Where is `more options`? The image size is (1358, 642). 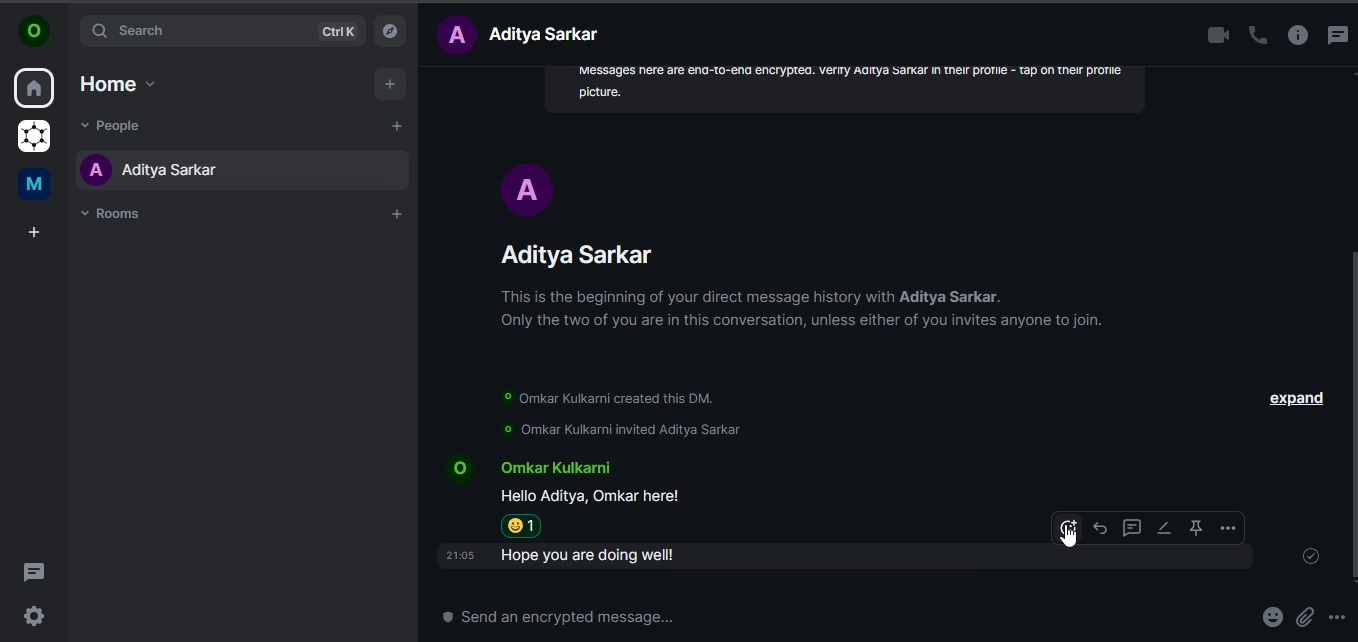 more options is located at coordinates (1338, 618).